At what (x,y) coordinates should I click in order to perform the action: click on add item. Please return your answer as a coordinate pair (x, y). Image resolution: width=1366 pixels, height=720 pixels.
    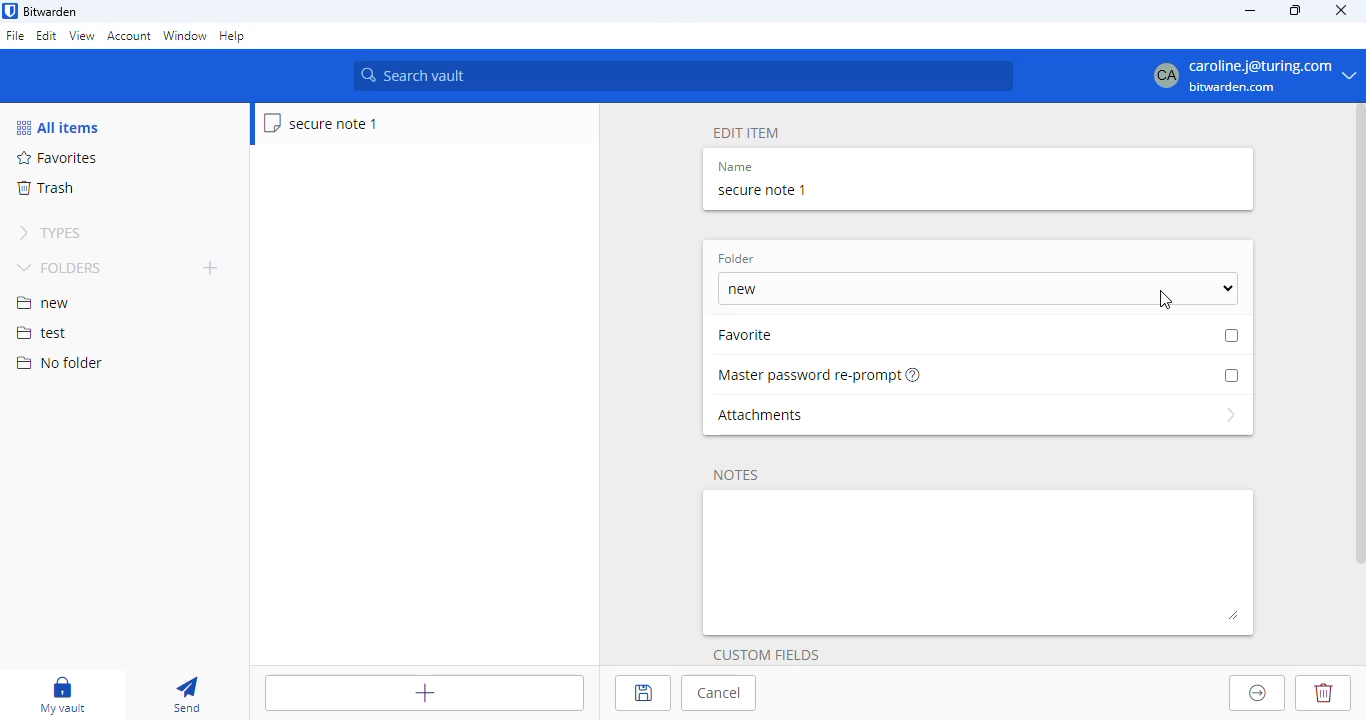
    Looking at the image, I should click on (425, 693).